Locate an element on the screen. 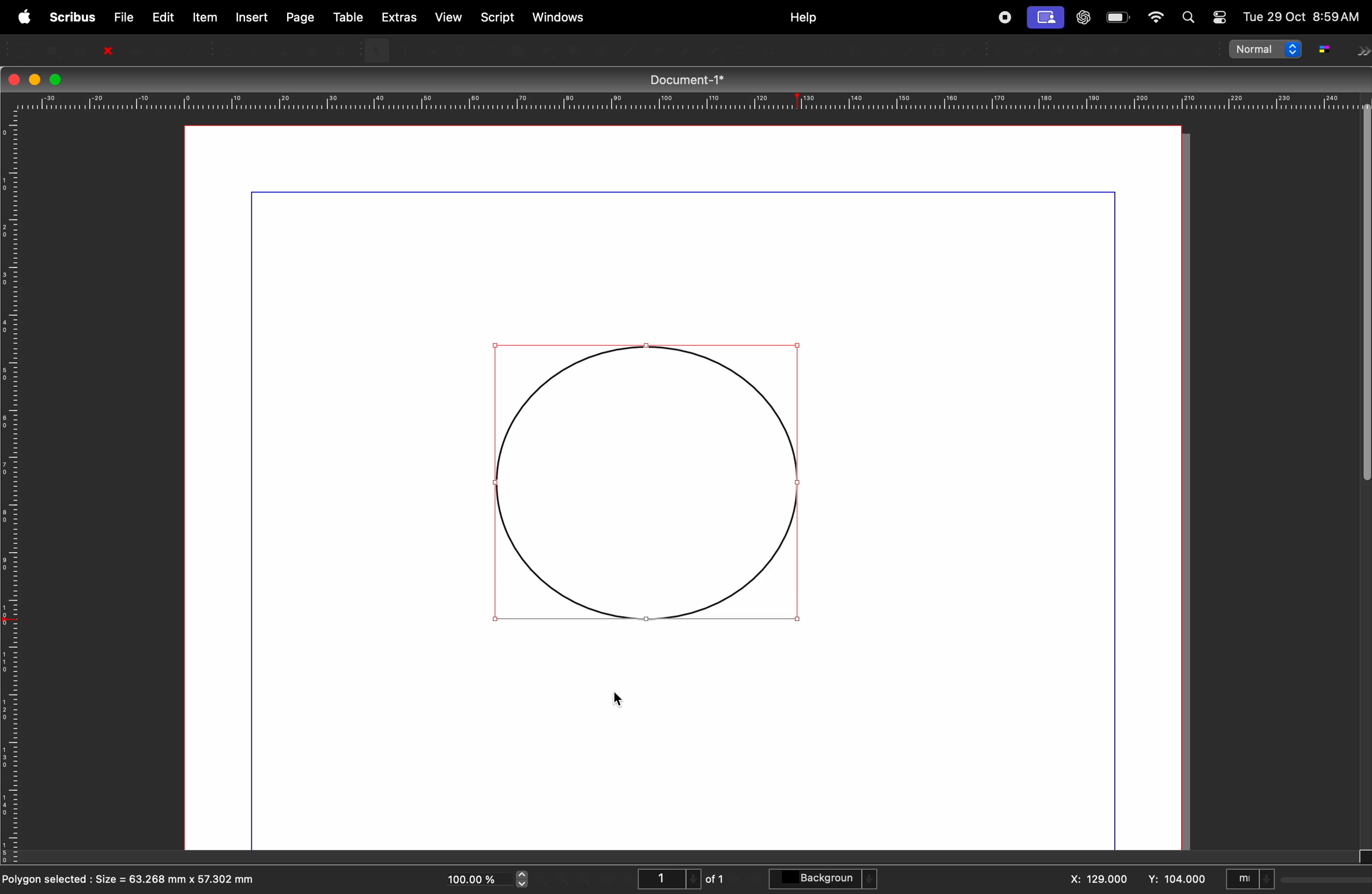  of 1 is located at coordinates (717, 878).